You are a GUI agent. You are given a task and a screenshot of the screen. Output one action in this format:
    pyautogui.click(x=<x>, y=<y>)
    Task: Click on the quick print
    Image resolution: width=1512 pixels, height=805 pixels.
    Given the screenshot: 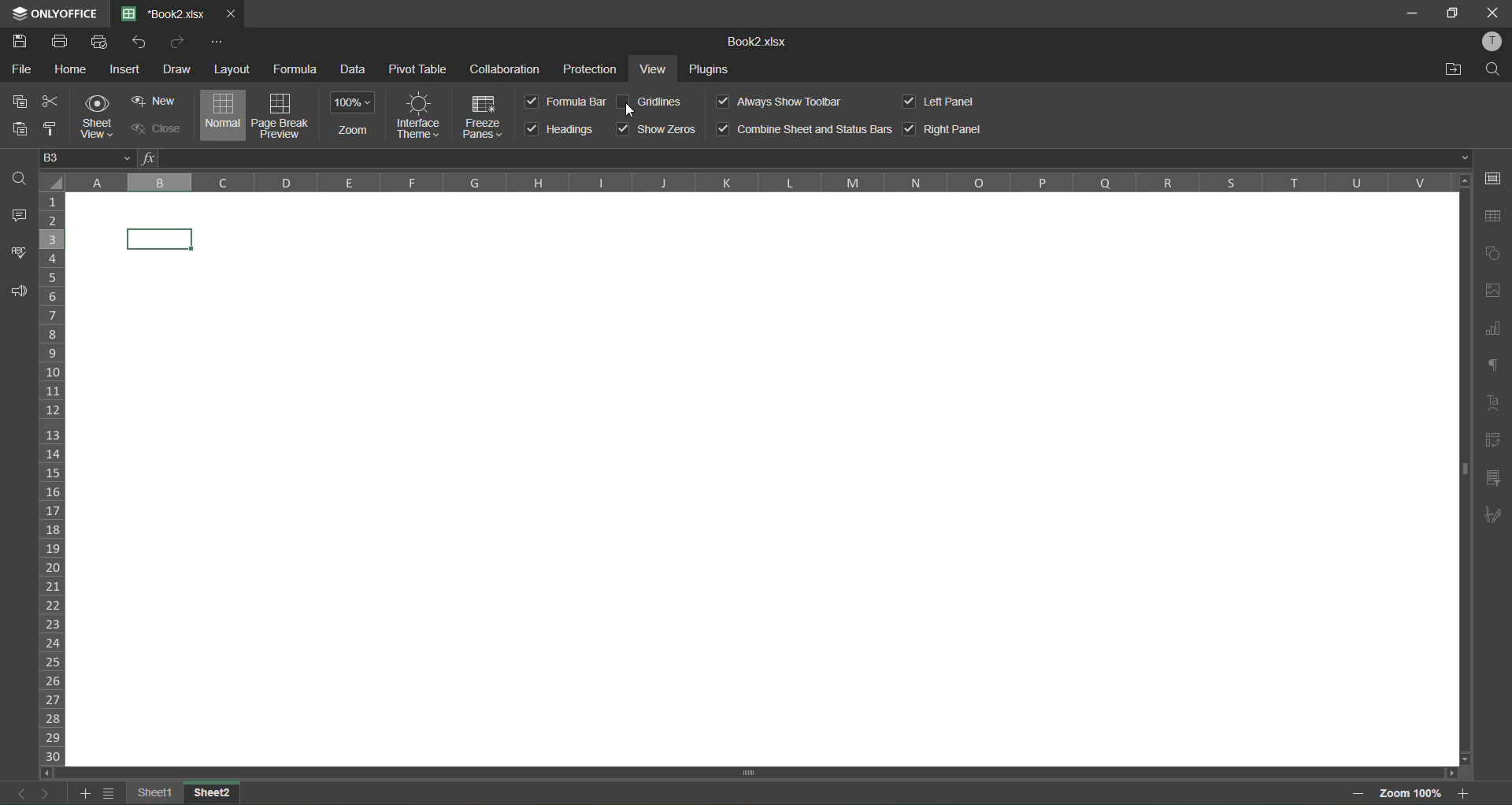 What is the action you would take?
    pyautogui.click(x=100, y=44)
    